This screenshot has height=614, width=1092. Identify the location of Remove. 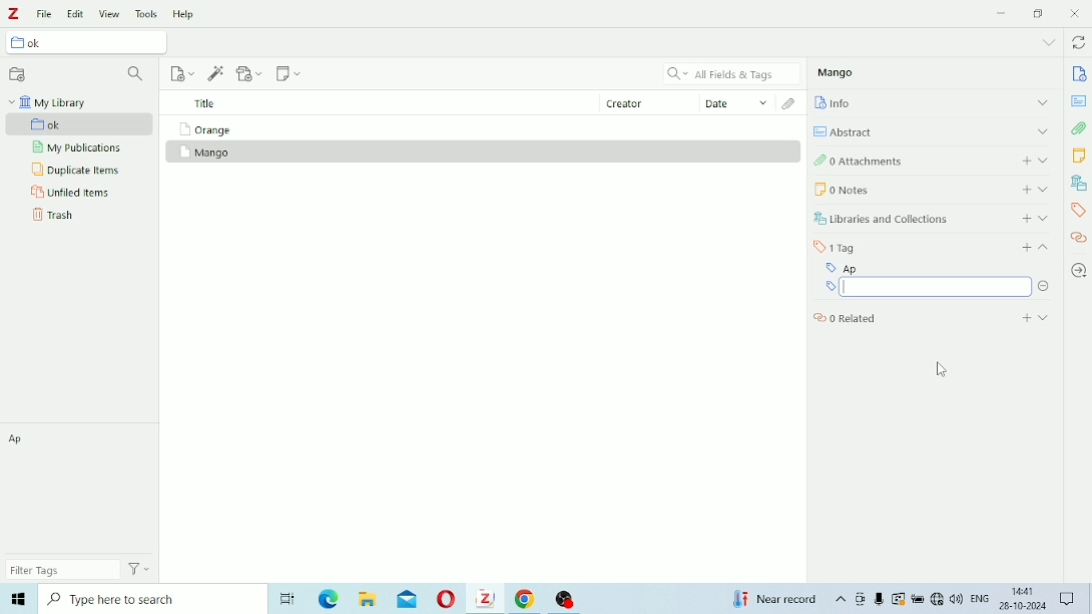
(1044, 269).